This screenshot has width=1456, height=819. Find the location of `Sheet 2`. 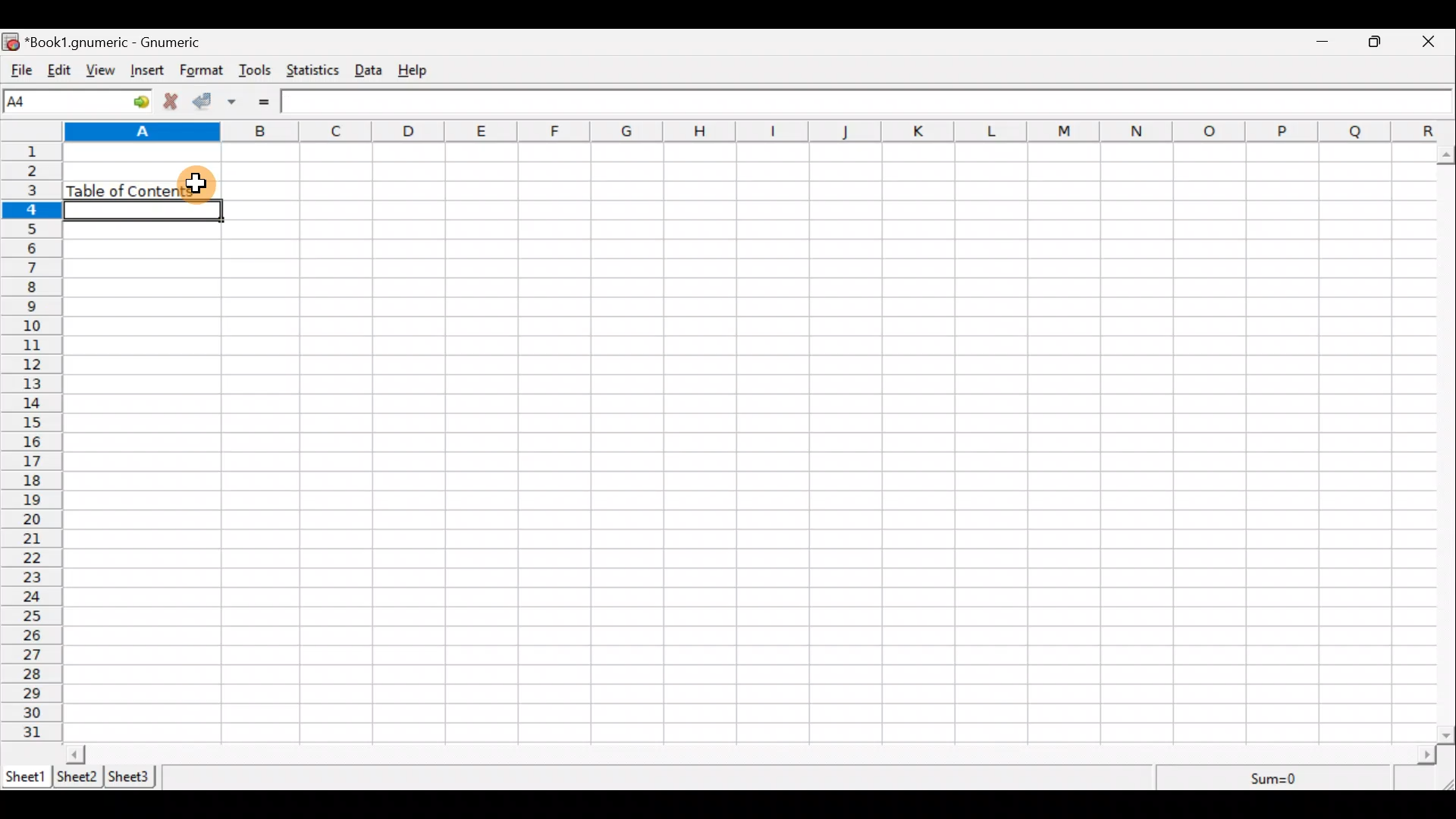

Sheet 2 is located at coordinates (79, 777).